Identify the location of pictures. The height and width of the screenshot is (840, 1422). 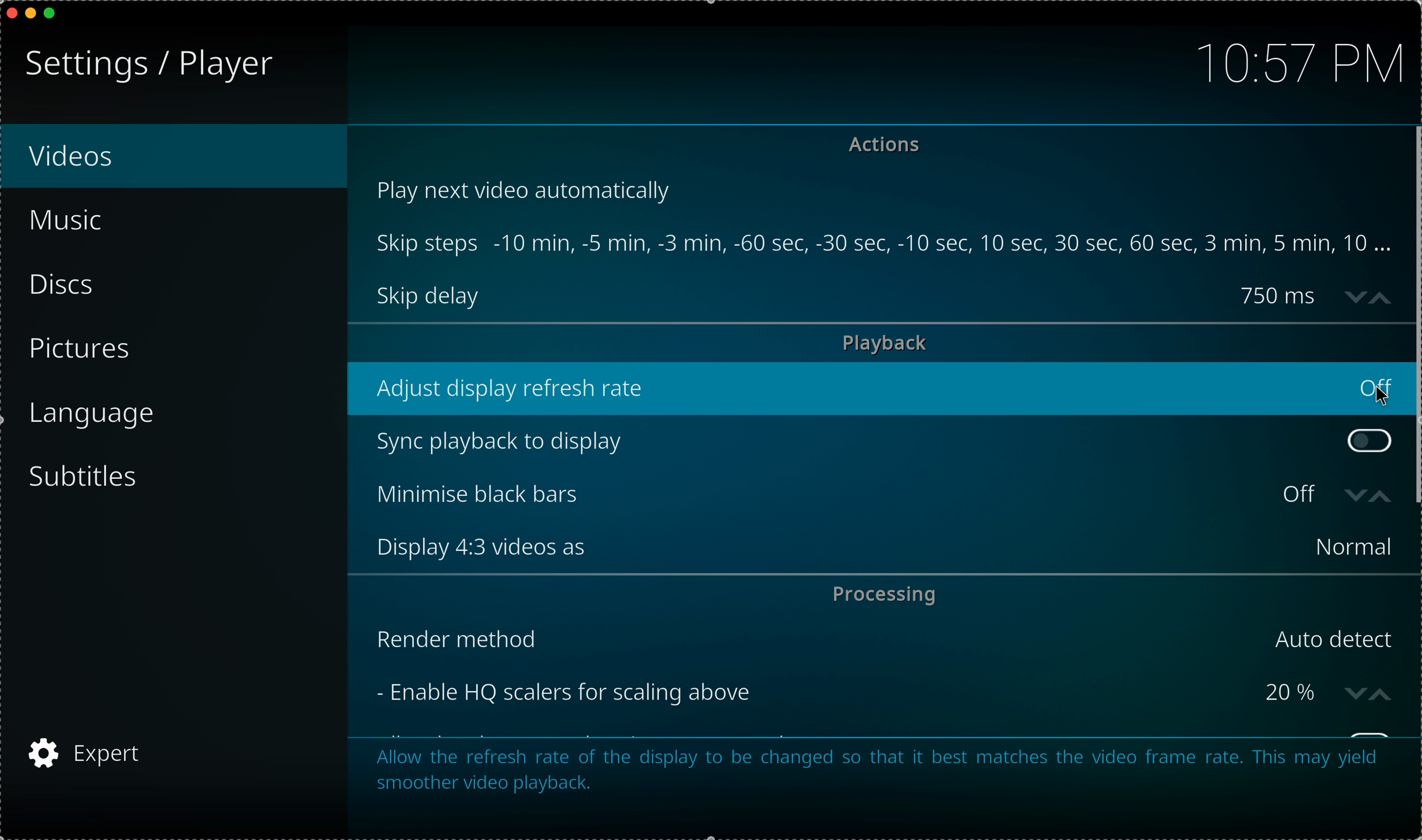
(84, 351).